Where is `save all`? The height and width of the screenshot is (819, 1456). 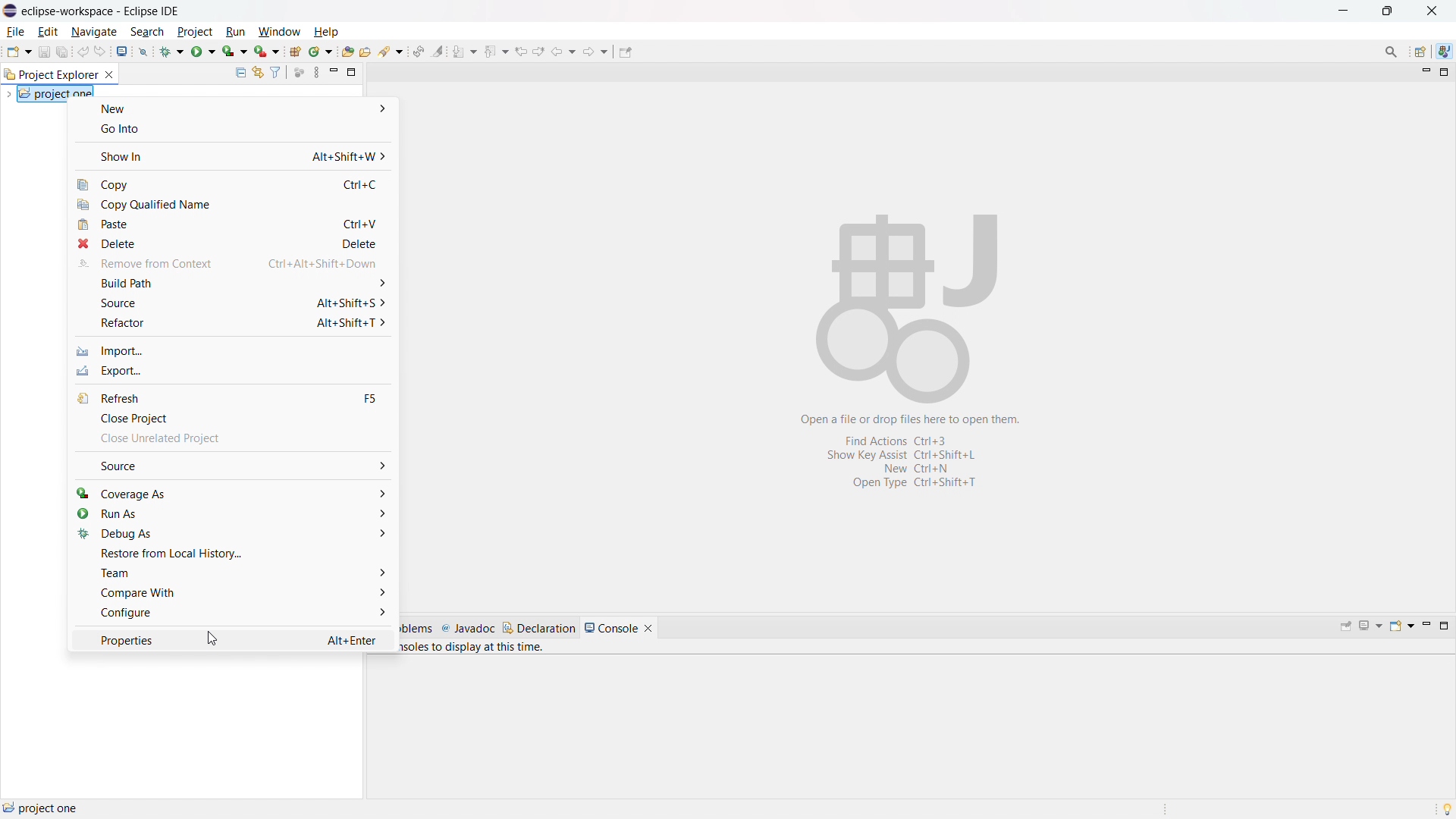
save all is located at coordinates (63, 52).